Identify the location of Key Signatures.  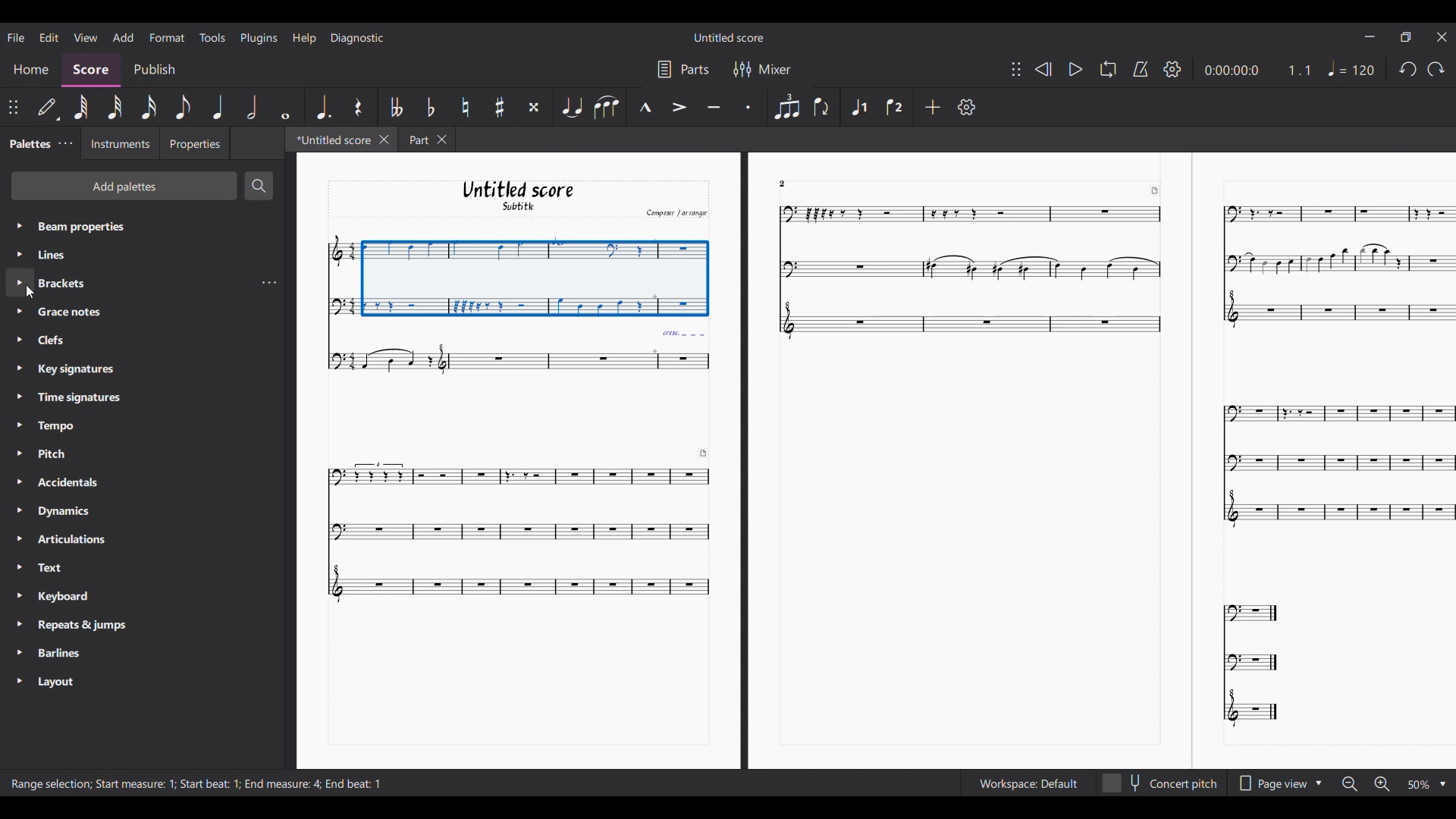
(76, 369).